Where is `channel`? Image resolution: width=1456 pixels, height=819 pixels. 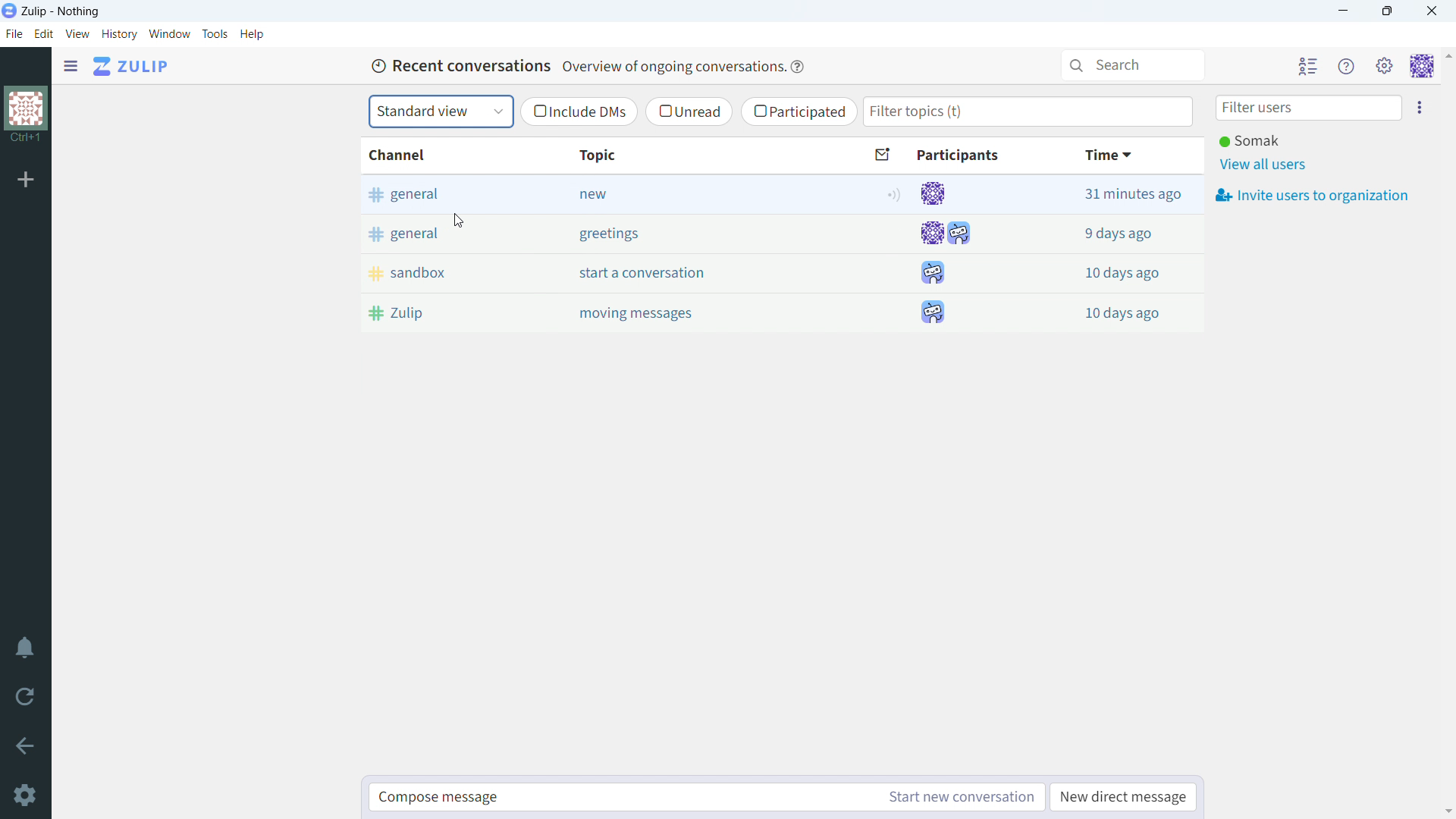
channel is located at coordinates (443, 155).